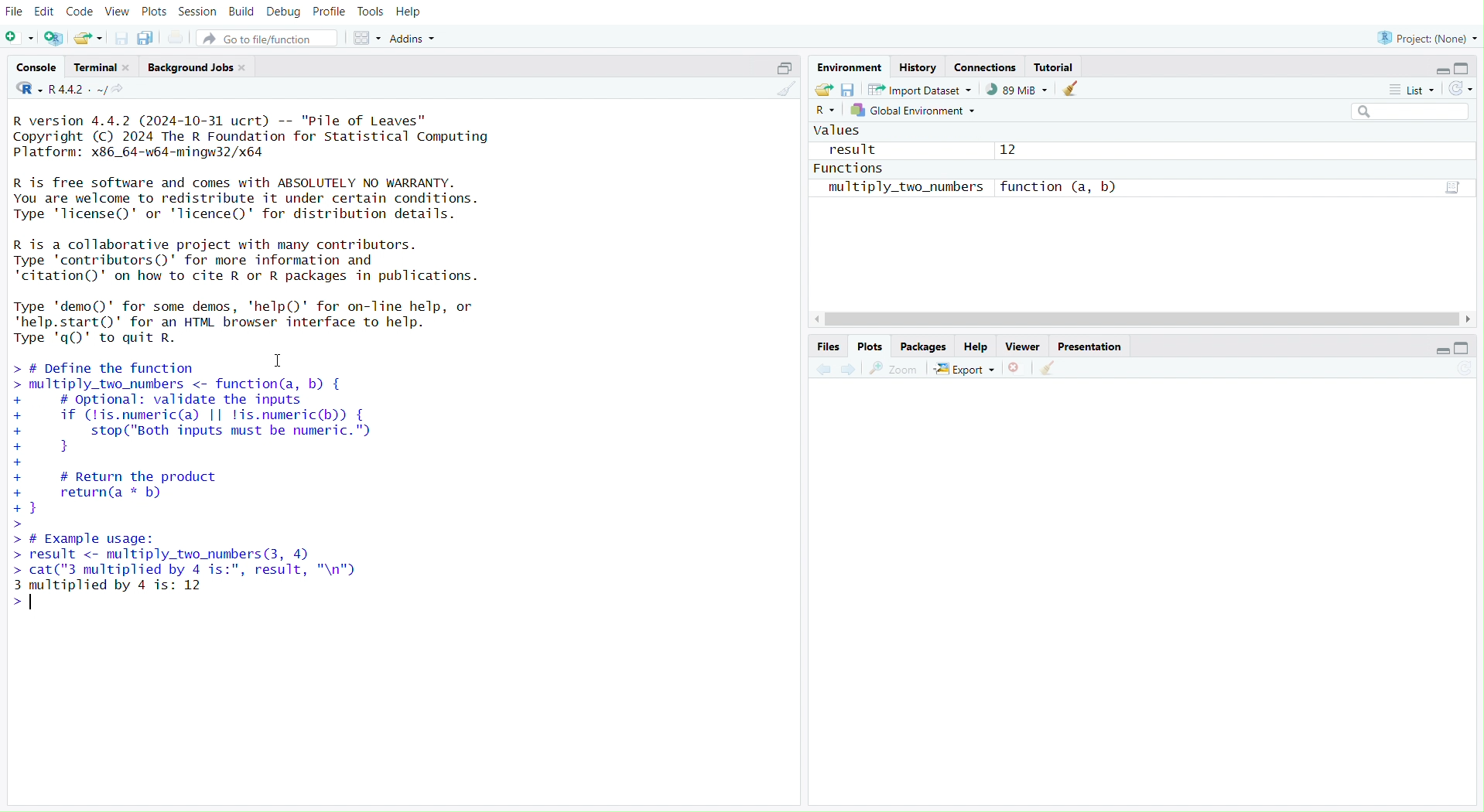 The width and height of the screenshot is (1484, 812). I want to click on File, so click(16, 11).